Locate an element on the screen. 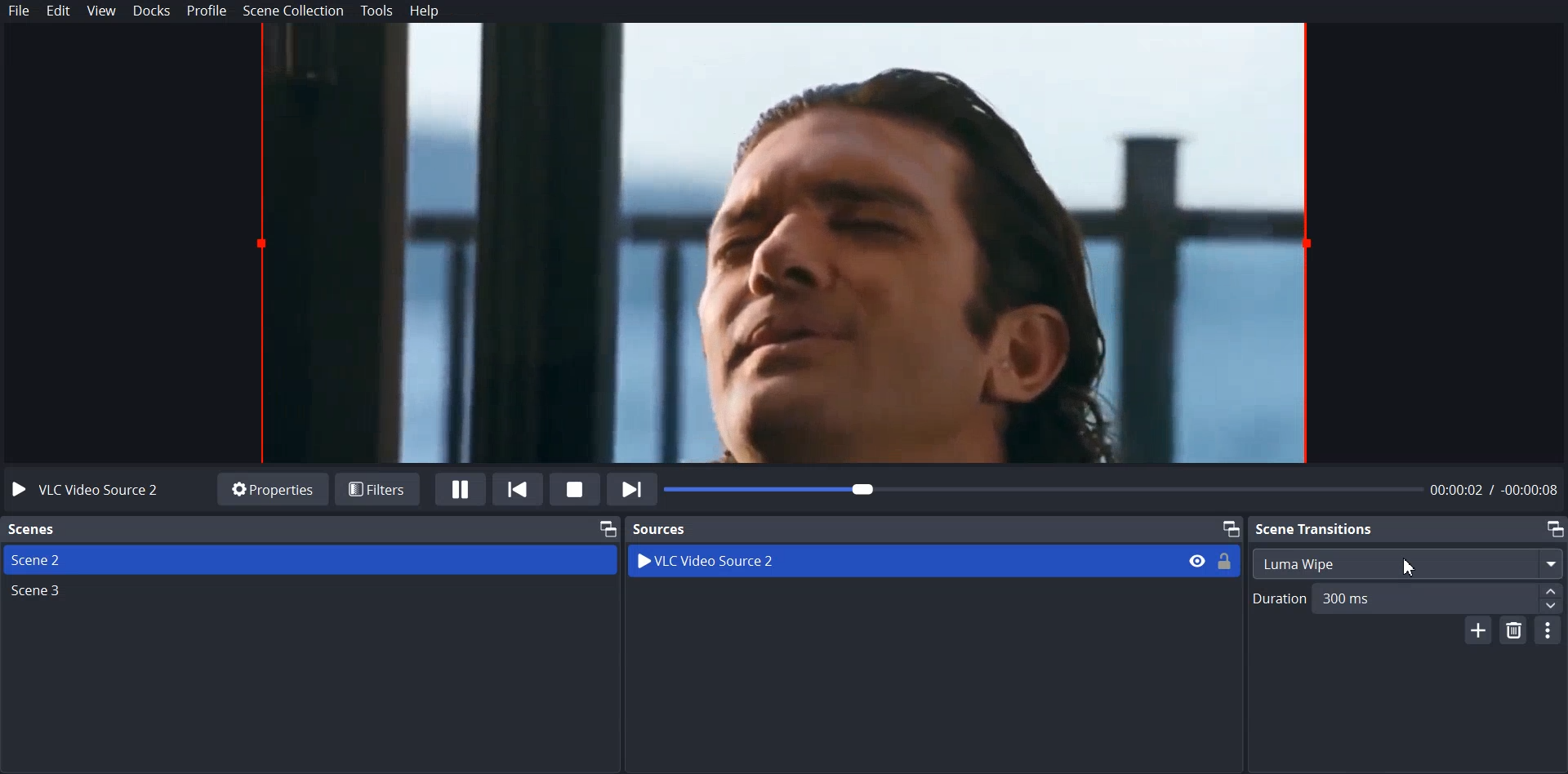 The width and height of the screenshot is (1568, 774). Scene Collection is located at coordinates (295, 11).